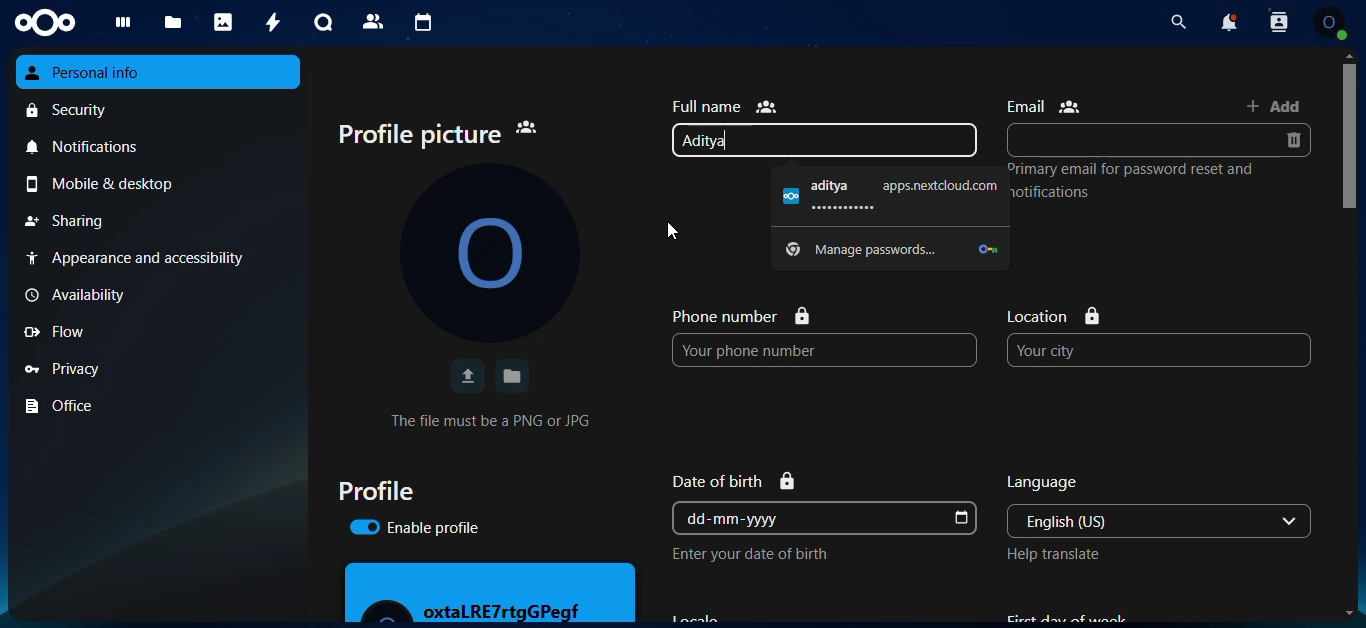 The height and width of the screenshot is (628, 1366). What do you see at coordinates (489, 252) in the screenshot?
I see `profile picture` at bounding box center [489, 252].